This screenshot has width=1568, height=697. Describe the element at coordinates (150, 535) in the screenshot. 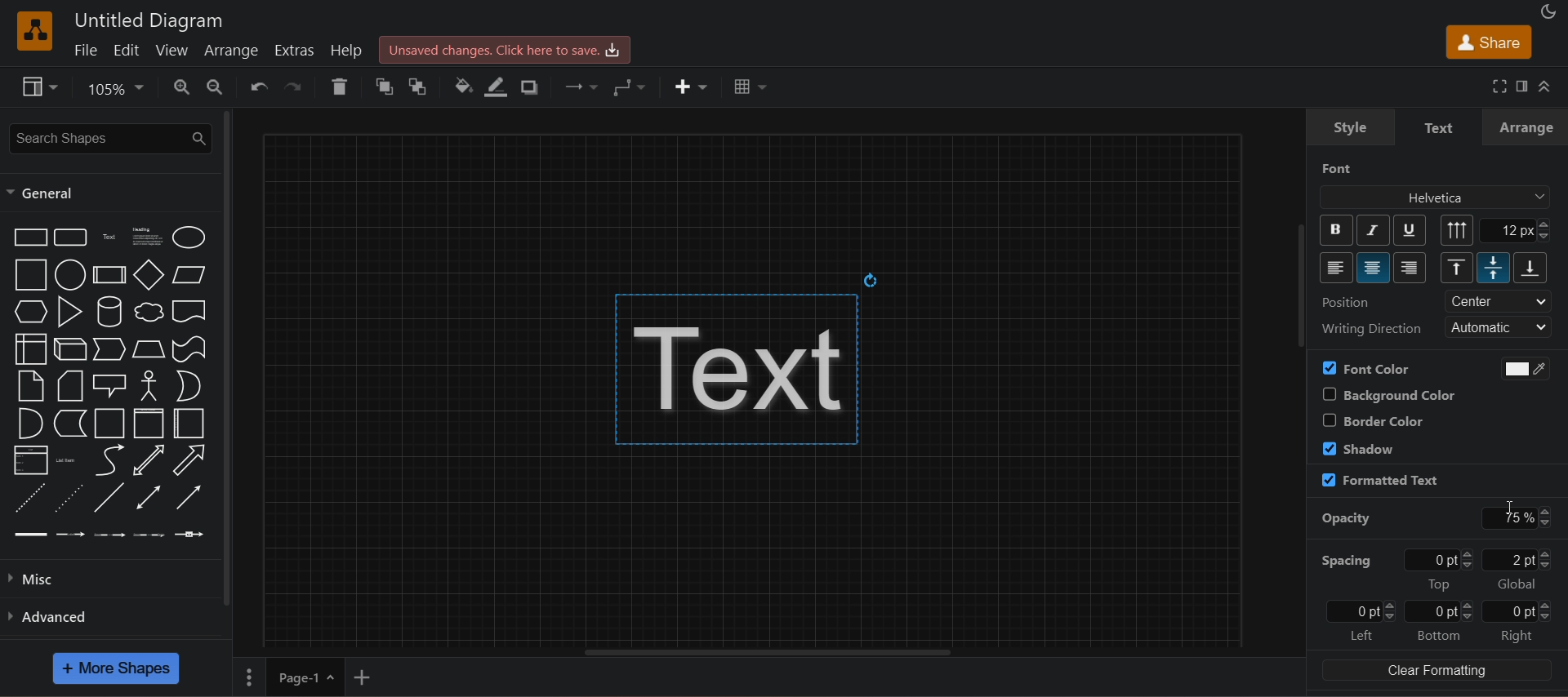

I see `connector with 3 labels` at that location.